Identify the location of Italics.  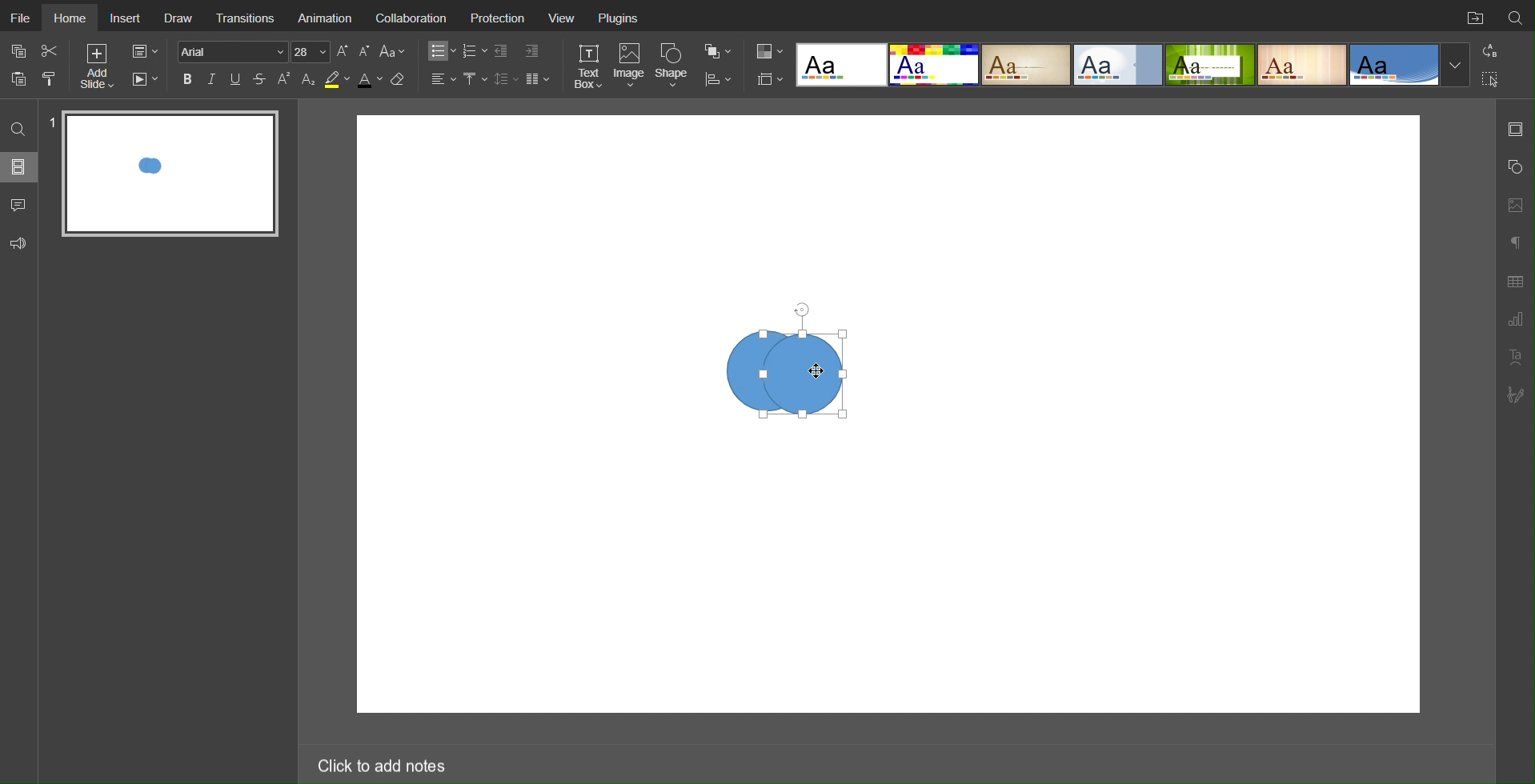
(212, 79).